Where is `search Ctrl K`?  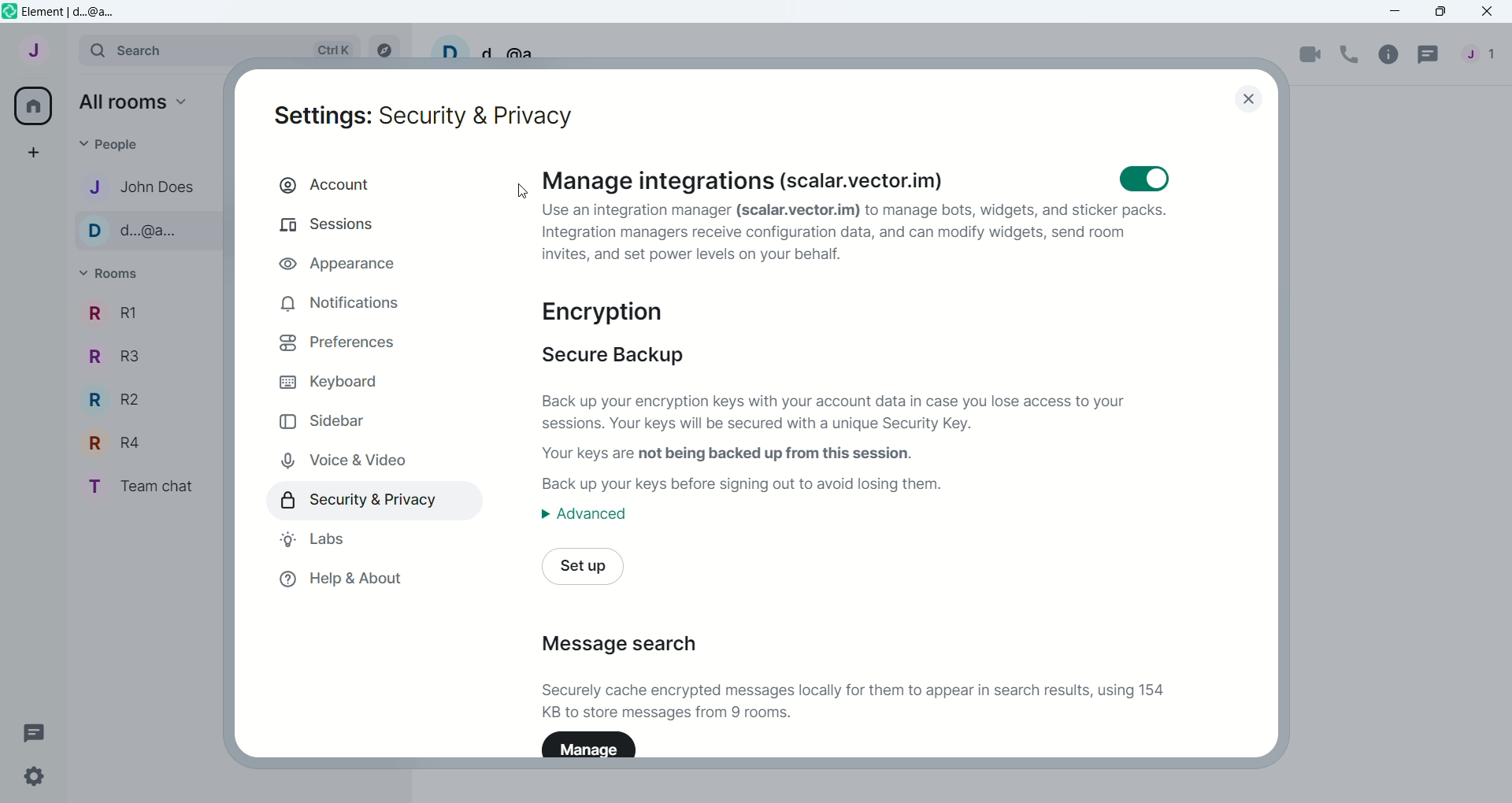
search Ctrl K is located at coordinates (220, 47).